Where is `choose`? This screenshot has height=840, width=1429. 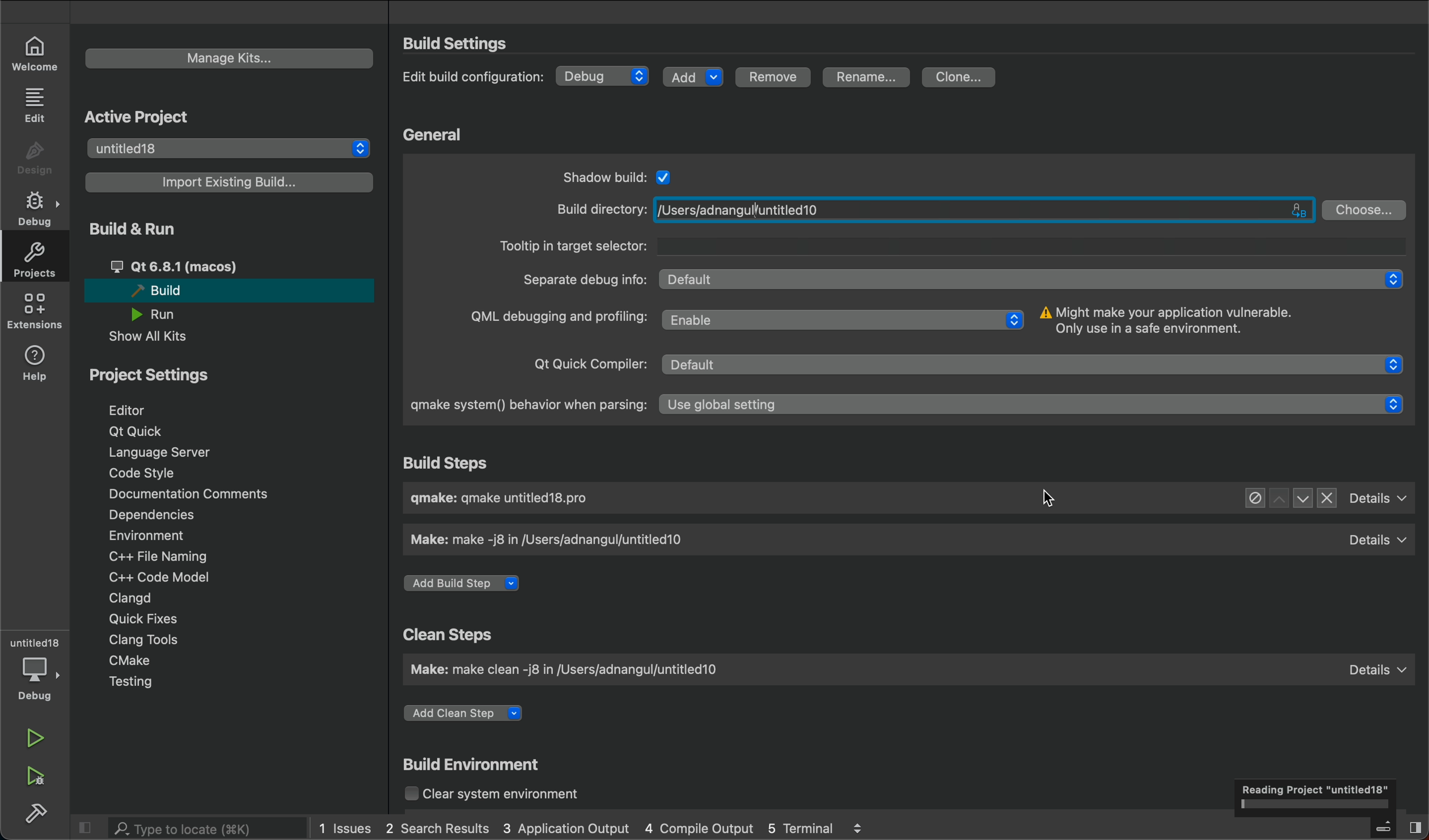 choose is located at coordinates (1366, 209).